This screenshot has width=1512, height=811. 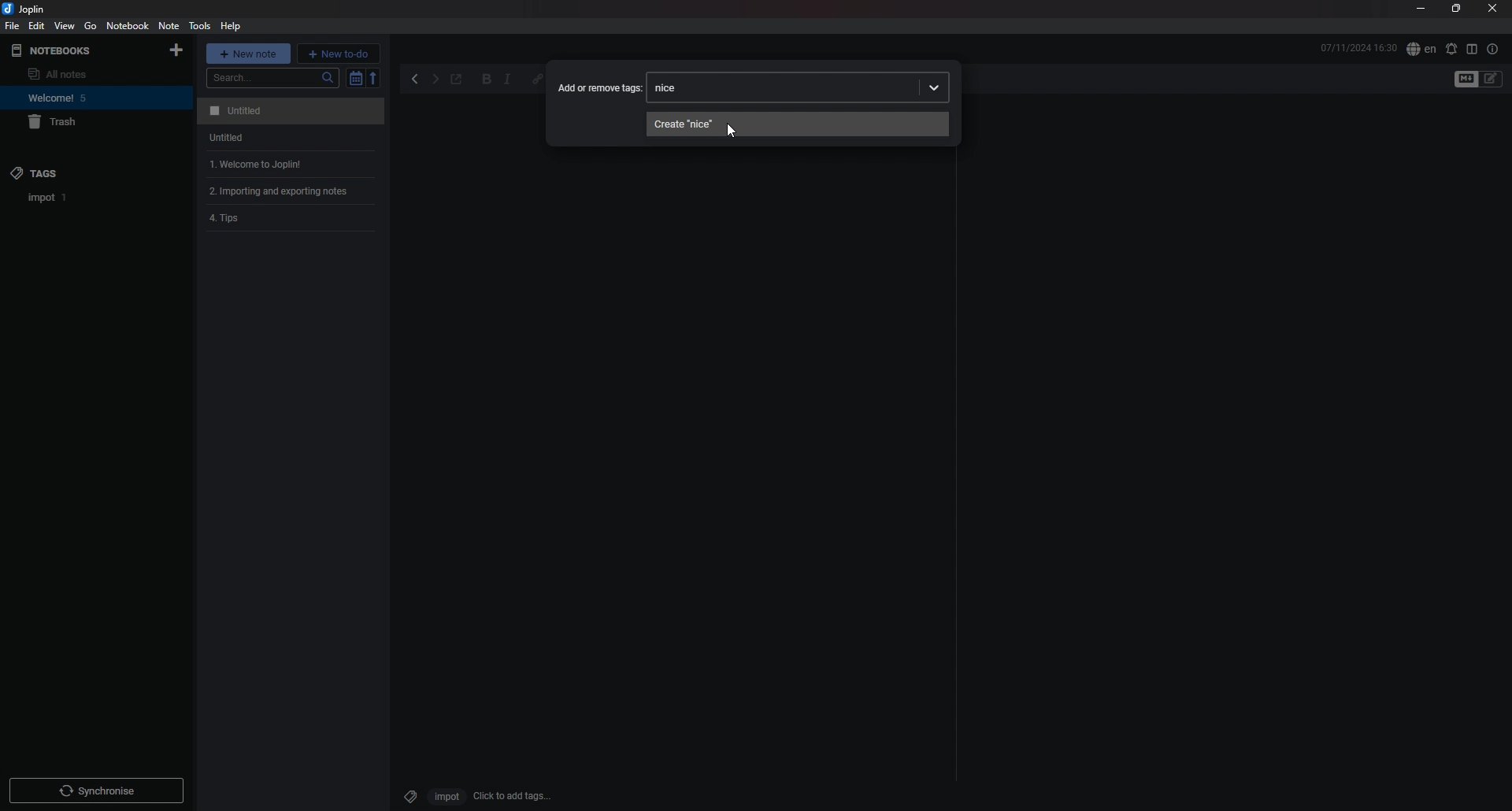 I want to click on toggle editors, so click(x=1466, y=80).